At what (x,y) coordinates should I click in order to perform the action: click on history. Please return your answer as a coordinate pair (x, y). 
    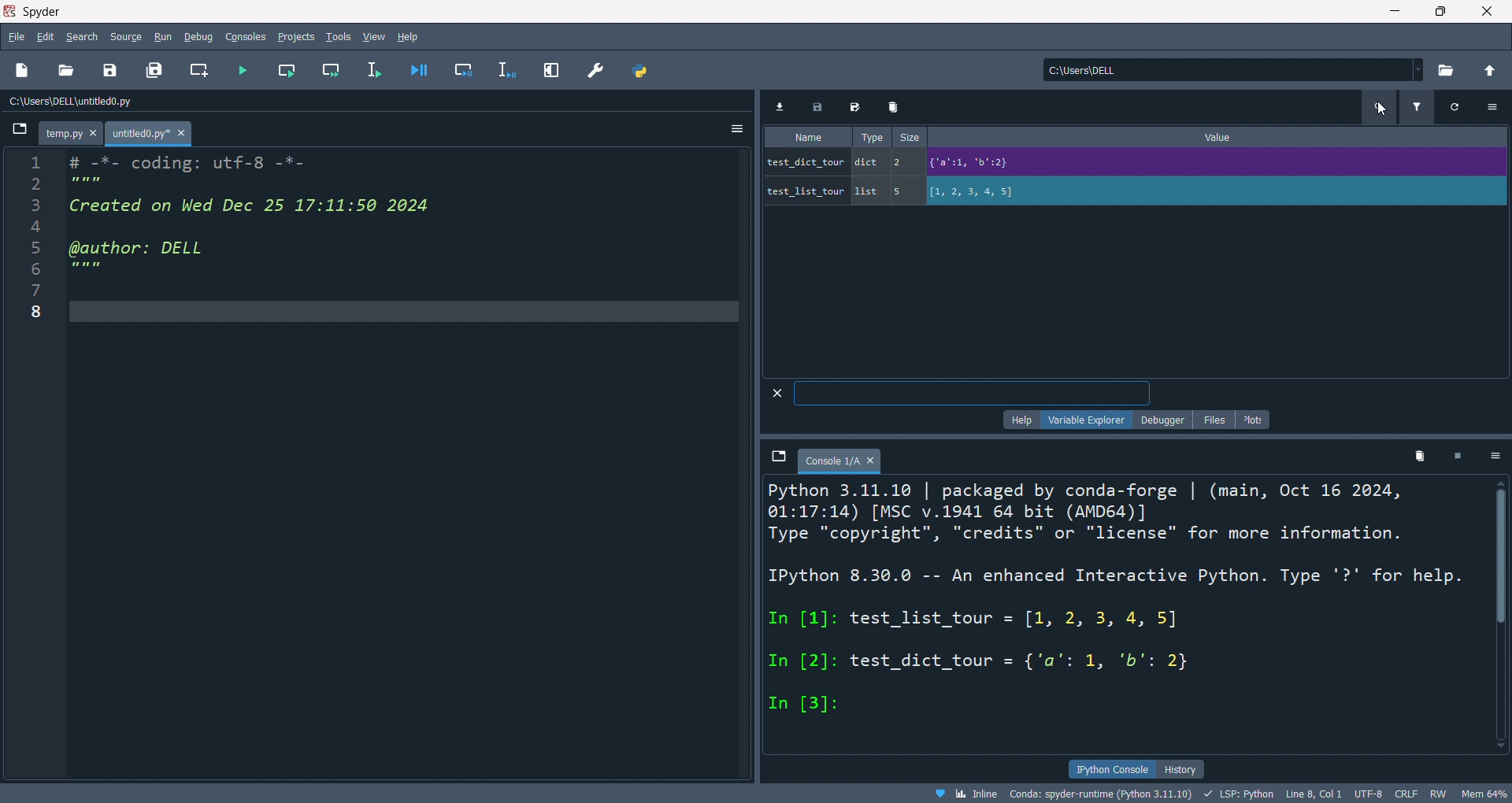
    Looking at the image, I should click on (1184, 769).